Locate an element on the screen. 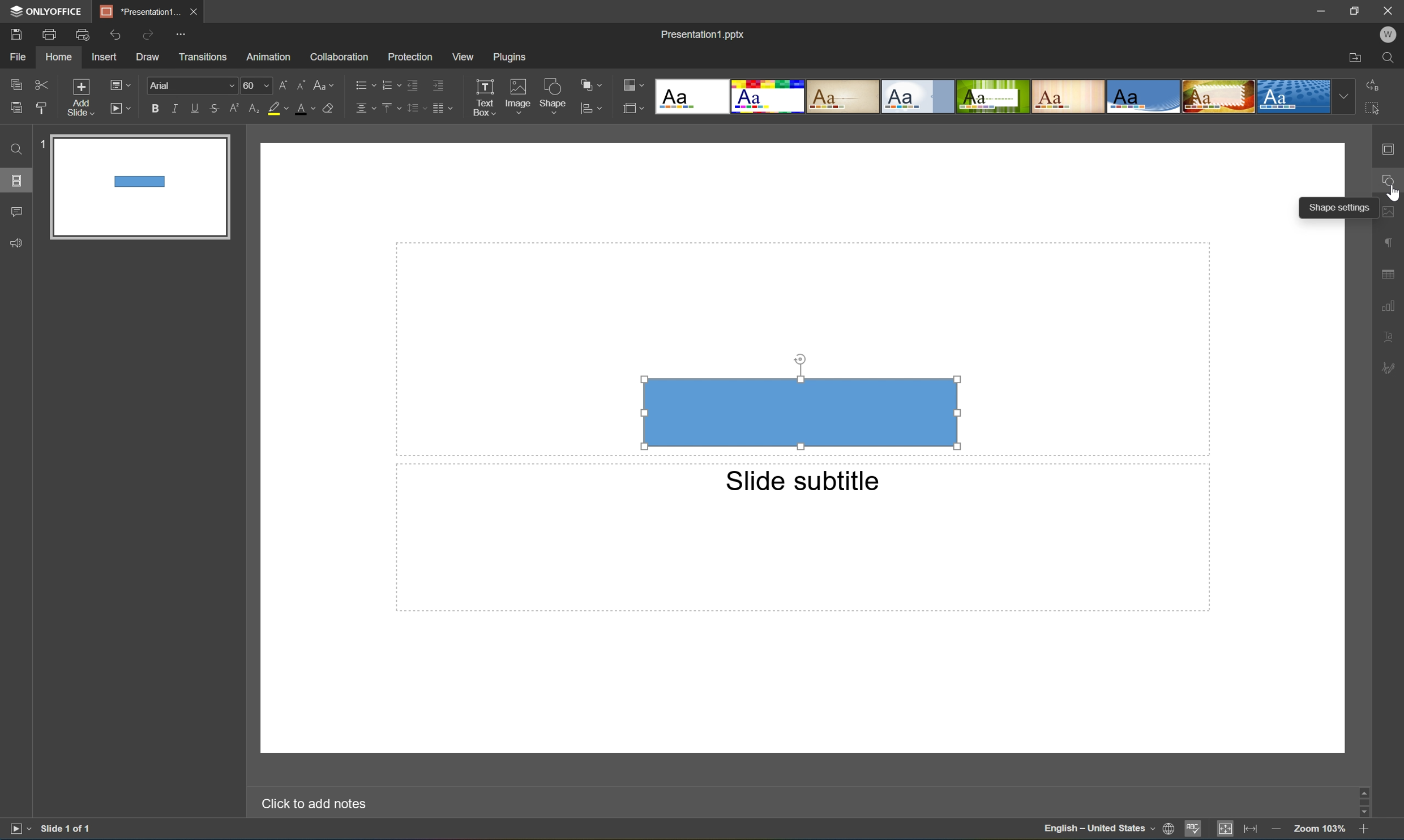 Image resolution: width=1404 pixels, height=840 pixels. Zoom in is located at coordinates (1363, 830).